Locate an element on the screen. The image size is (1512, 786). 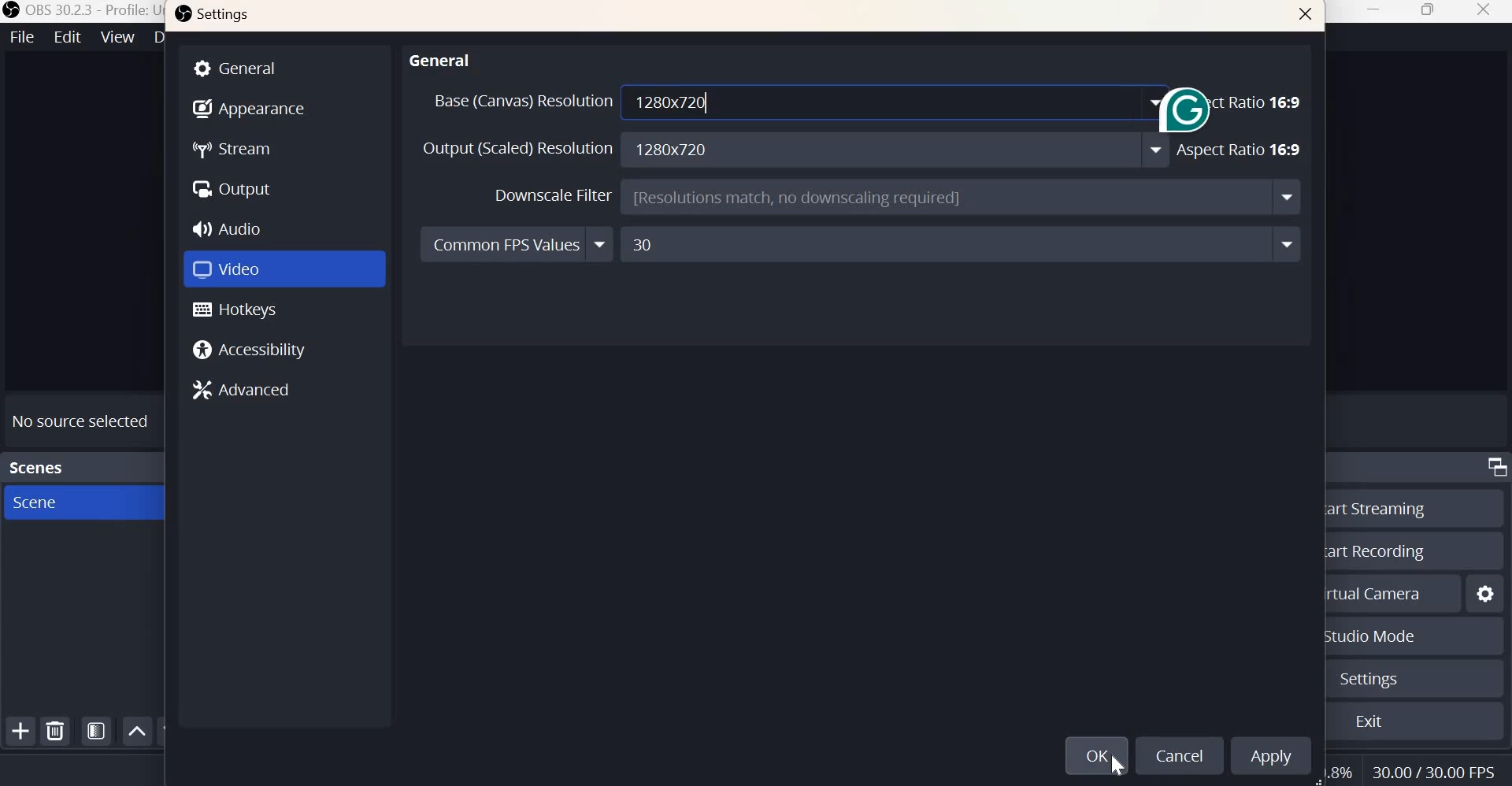
Minimize is located at coordinates (1376, 13).